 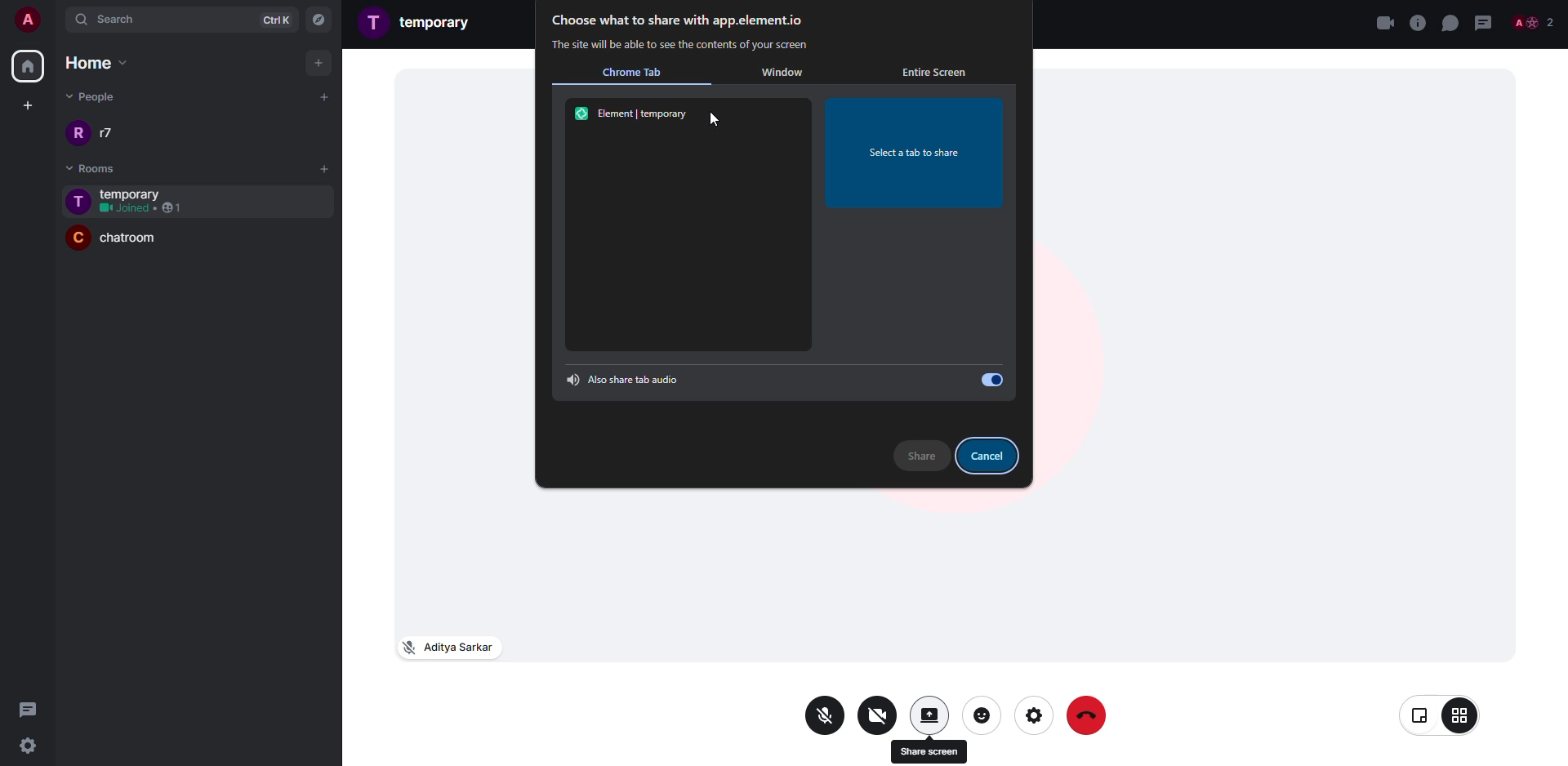 I want to click on share, so click(x=924, y=457).